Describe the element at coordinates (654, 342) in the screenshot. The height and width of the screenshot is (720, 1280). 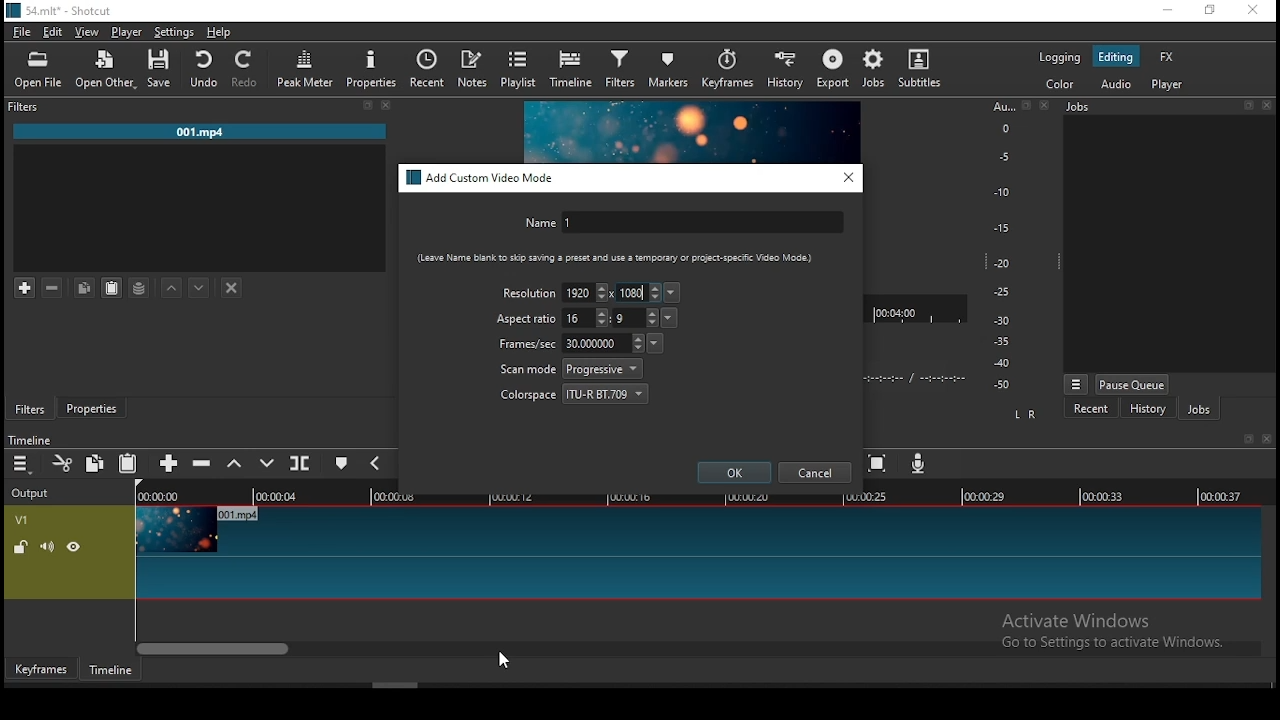
I see `frames per second presets` at that location.